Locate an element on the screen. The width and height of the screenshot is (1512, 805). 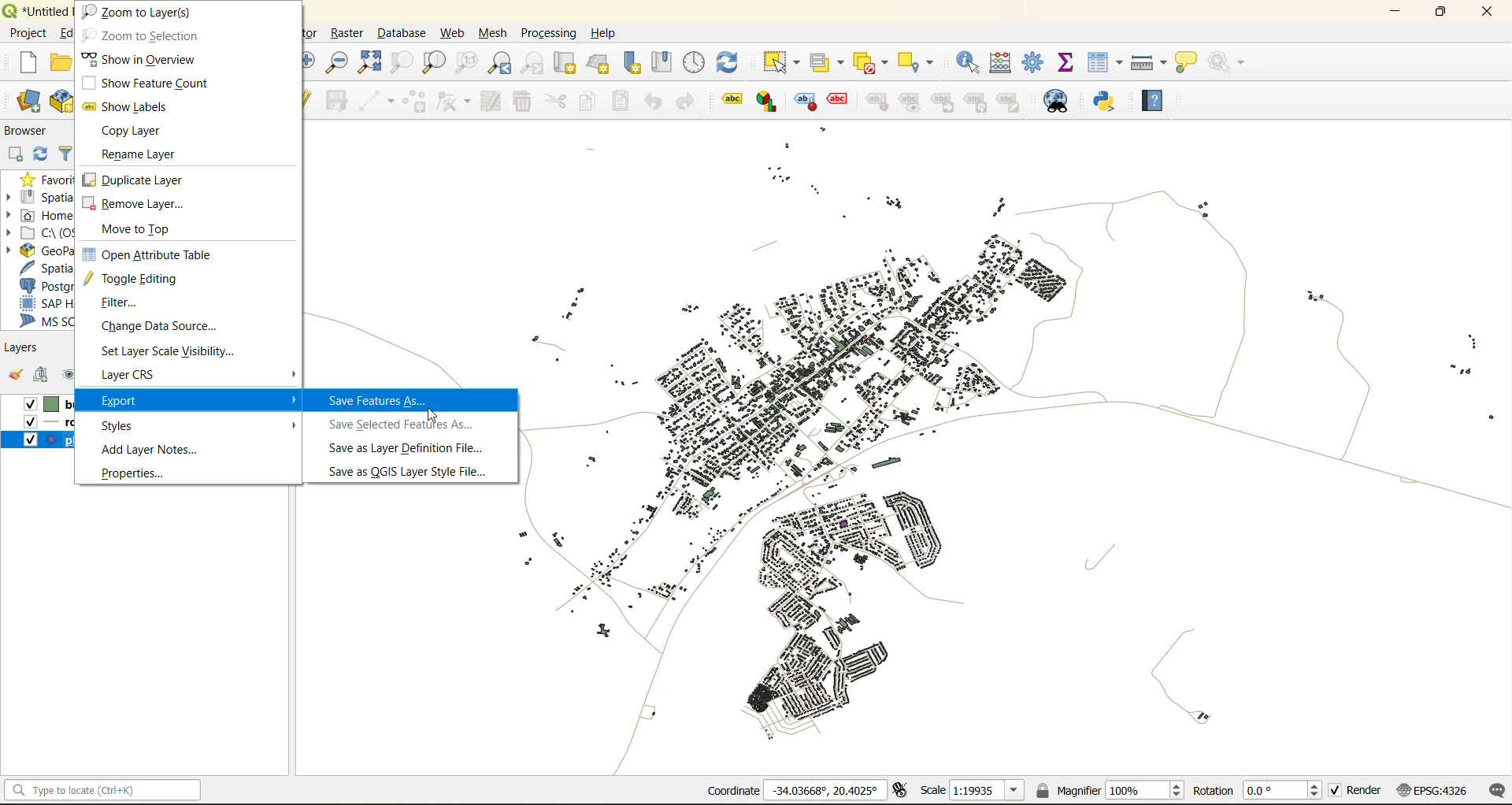
new 3d map view is located at coordinates (600, 64).